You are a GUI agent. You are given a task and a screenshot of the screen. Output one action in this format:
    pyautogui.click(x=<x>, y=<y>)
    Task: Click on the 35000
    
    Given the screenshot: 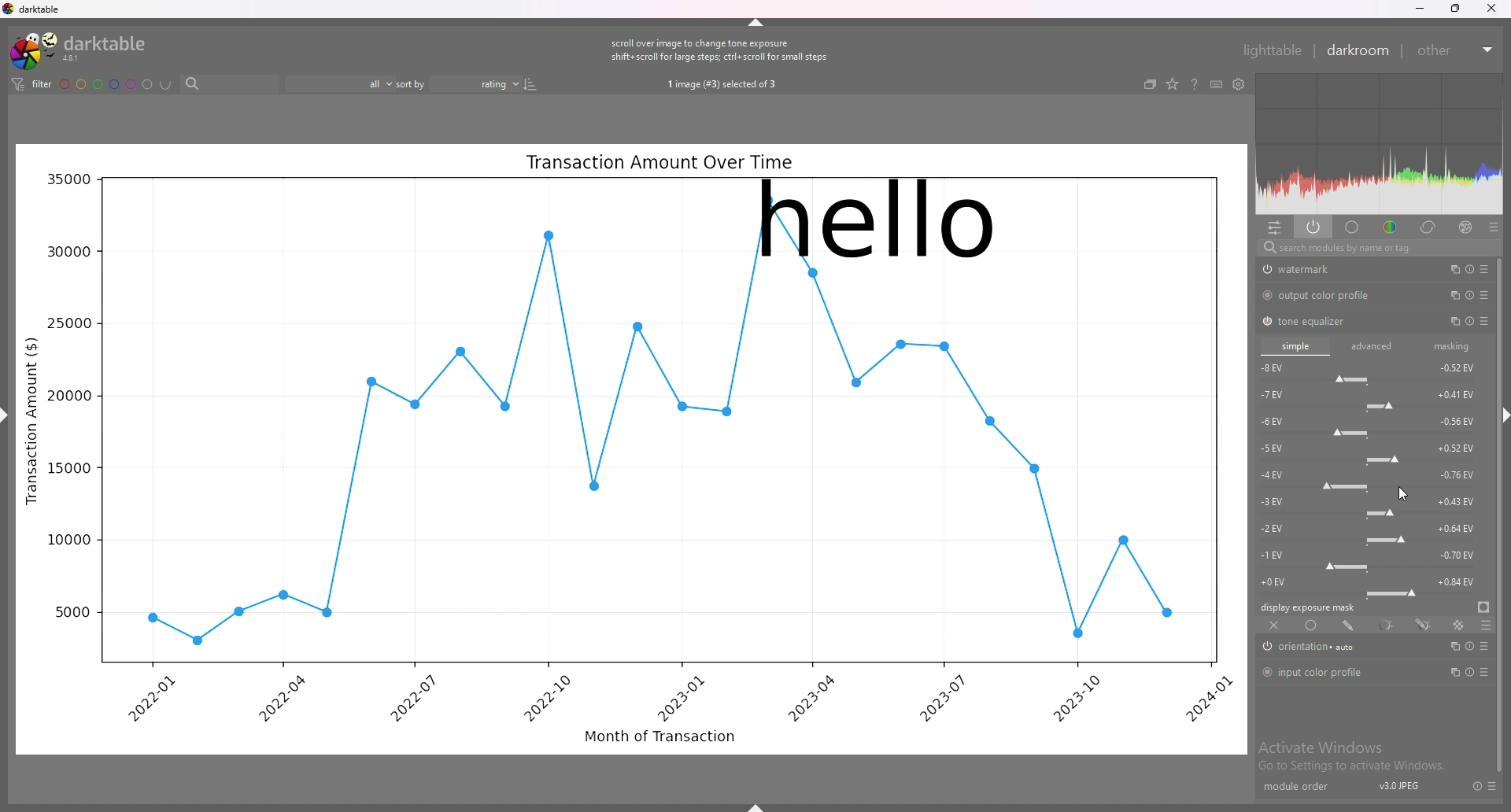 What is the action you would take?
    pyautogui.click(x=68, y=179)
    